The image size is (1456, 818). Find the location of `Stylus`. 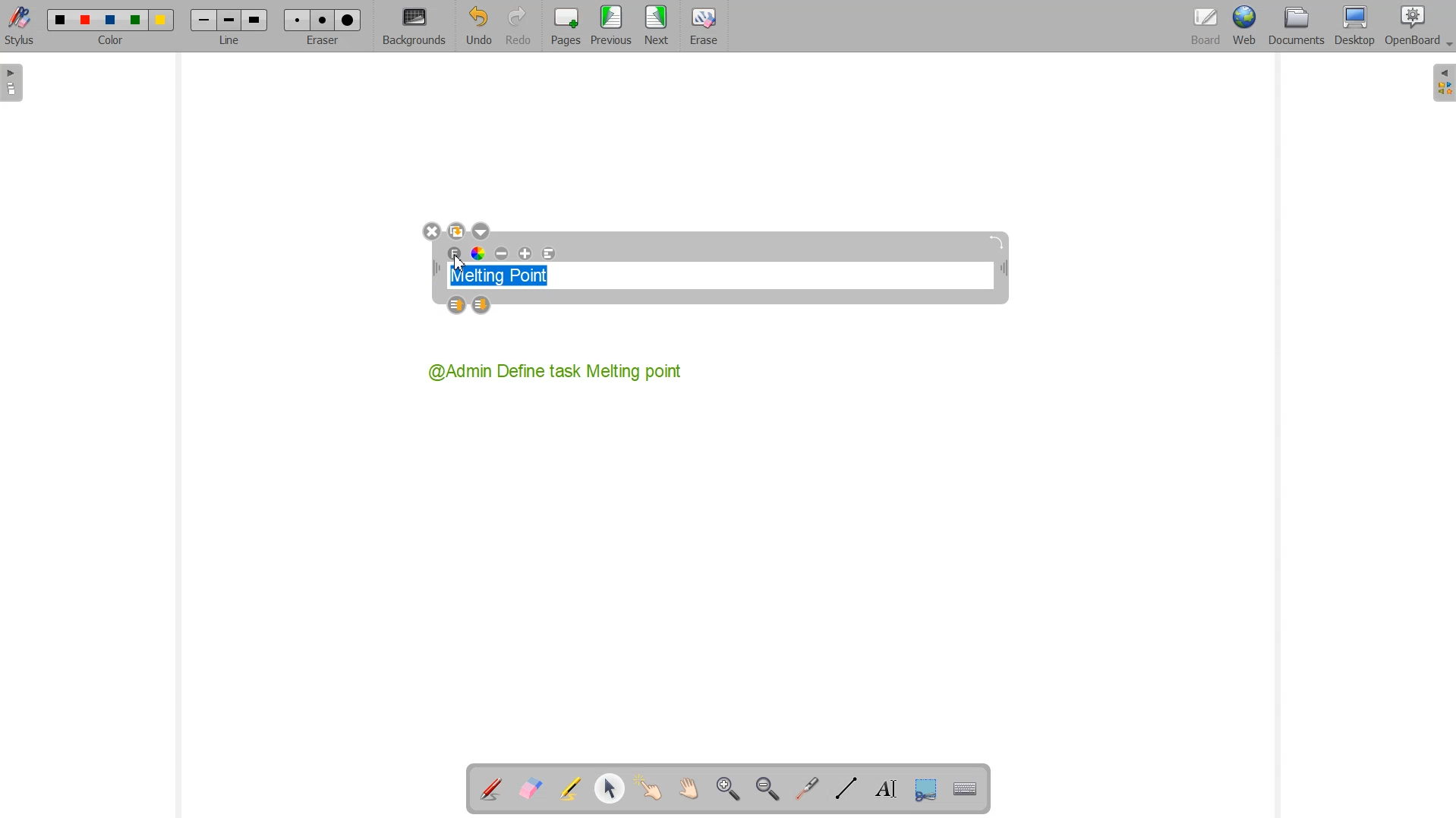

Stylus is located at coordinates (21, 27).